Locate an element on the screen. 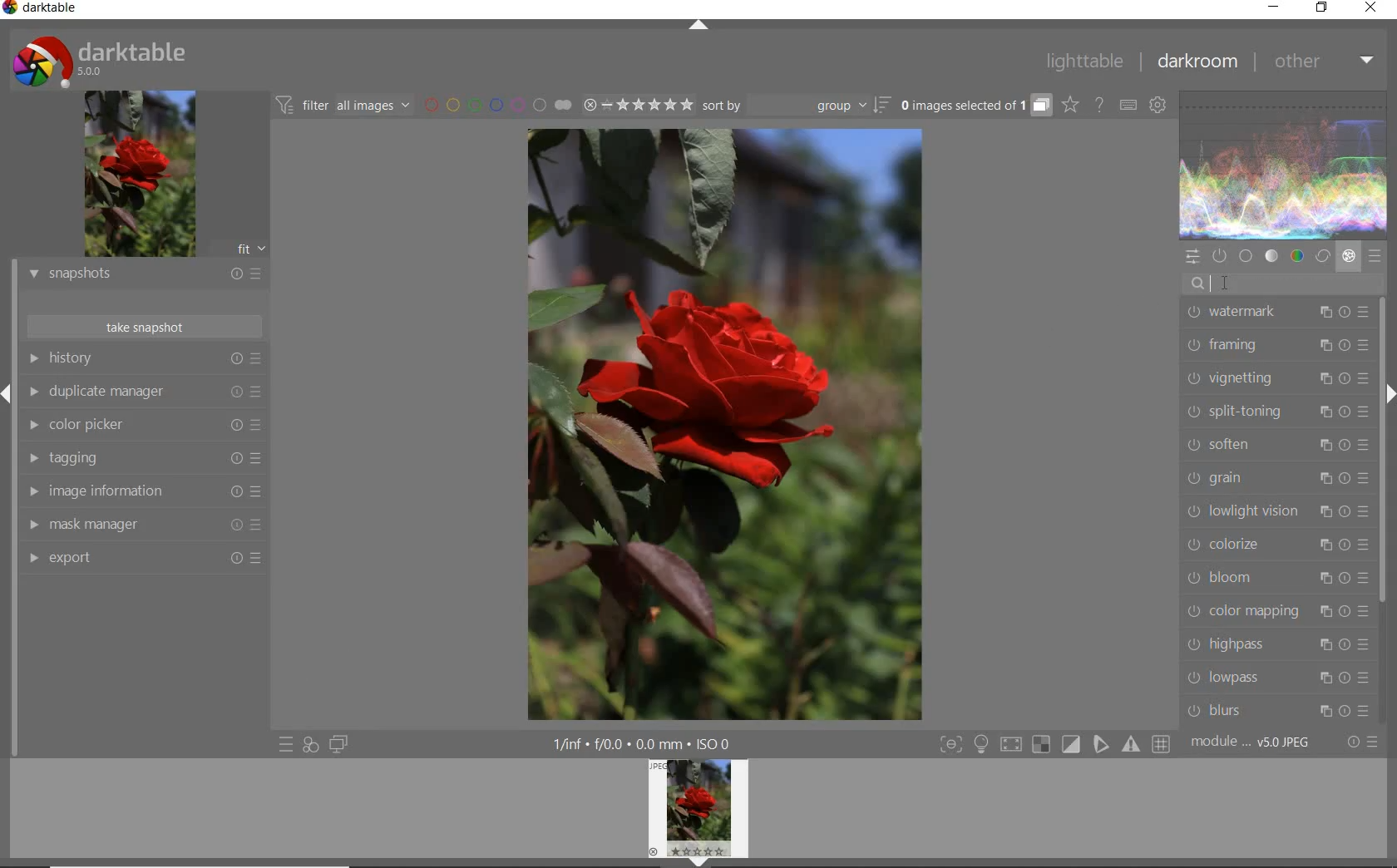  tone is located at coordinates (1271, 257).